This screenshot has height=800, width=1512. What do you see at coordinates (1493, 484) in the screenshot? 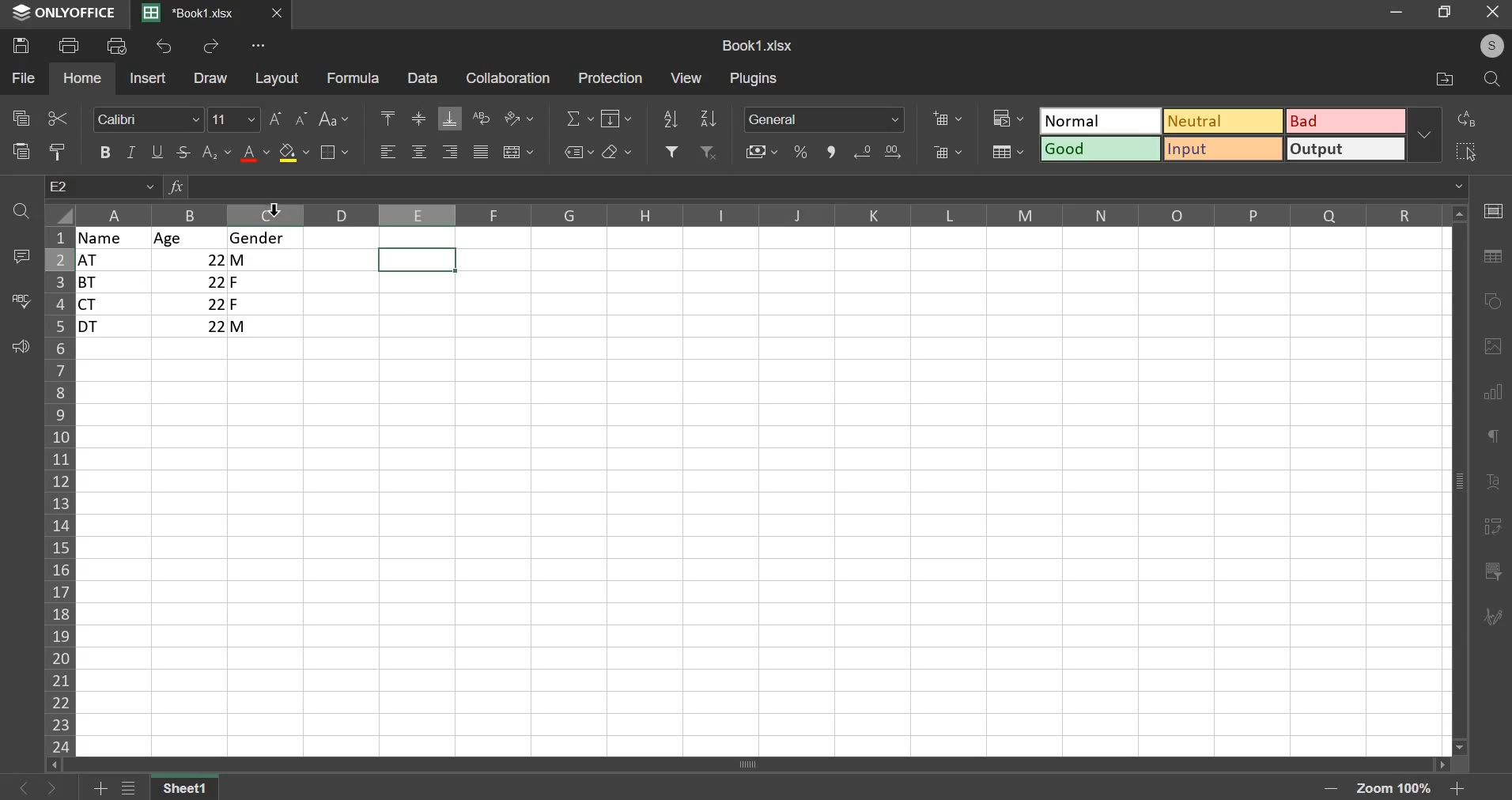
I see `text art` at bounding box center [1493, 484].